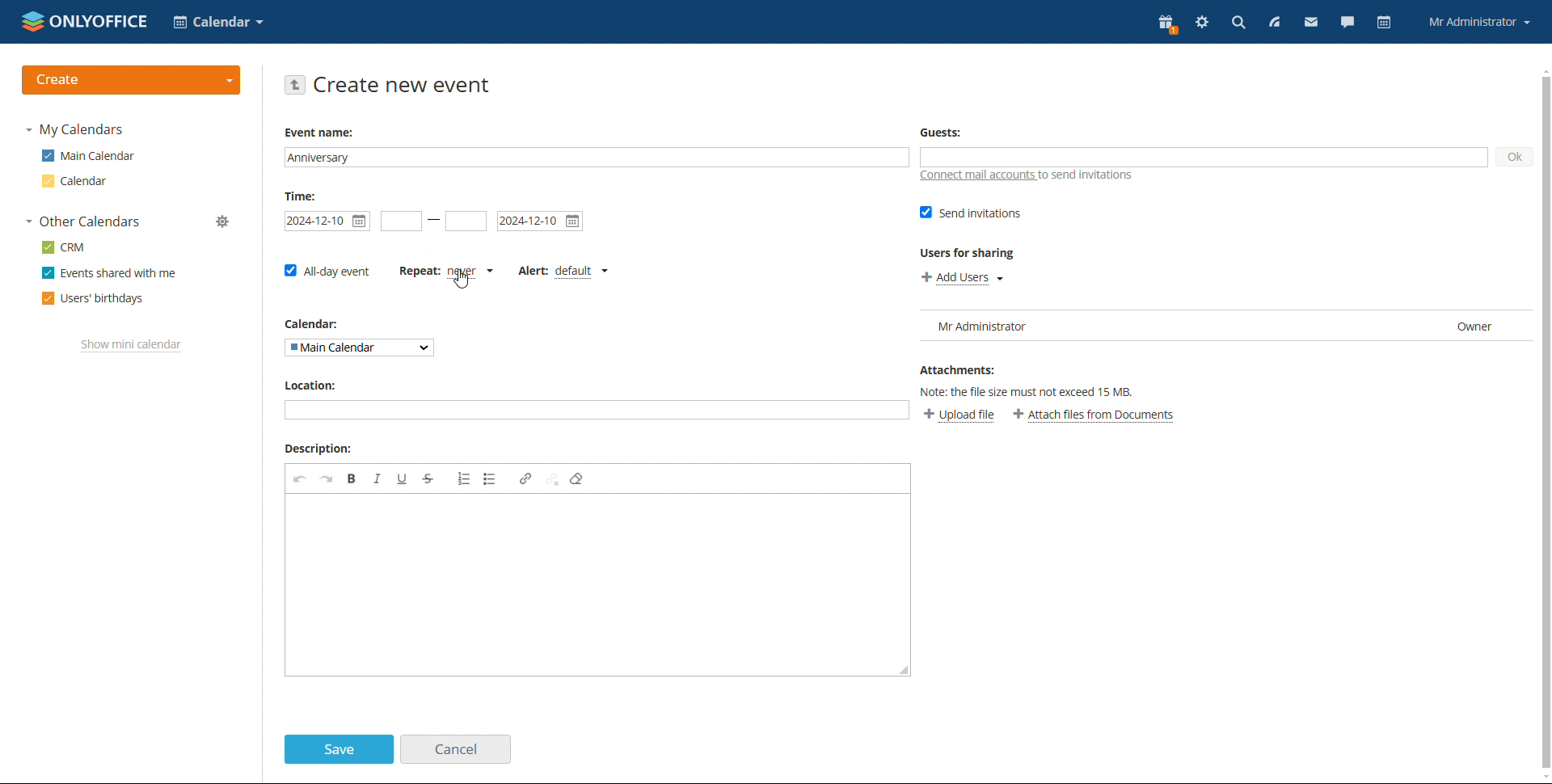 The image size is (1552, 784). What do you see at coordinates (300, 196) in the screenshot?
I see `Time:` at bounding box center [300, 196].